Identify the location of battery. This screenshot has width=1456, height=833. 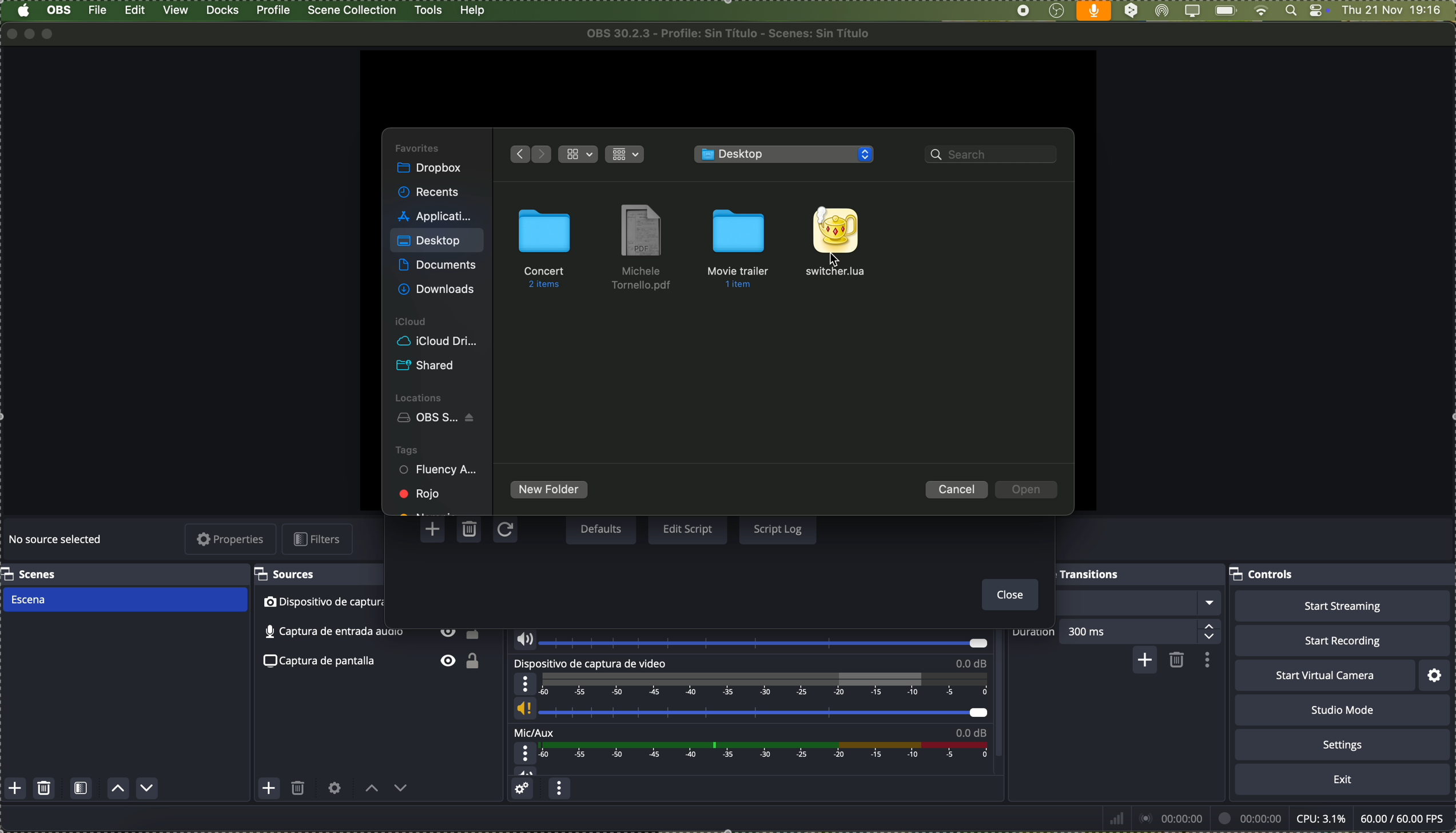
(1225, 11).